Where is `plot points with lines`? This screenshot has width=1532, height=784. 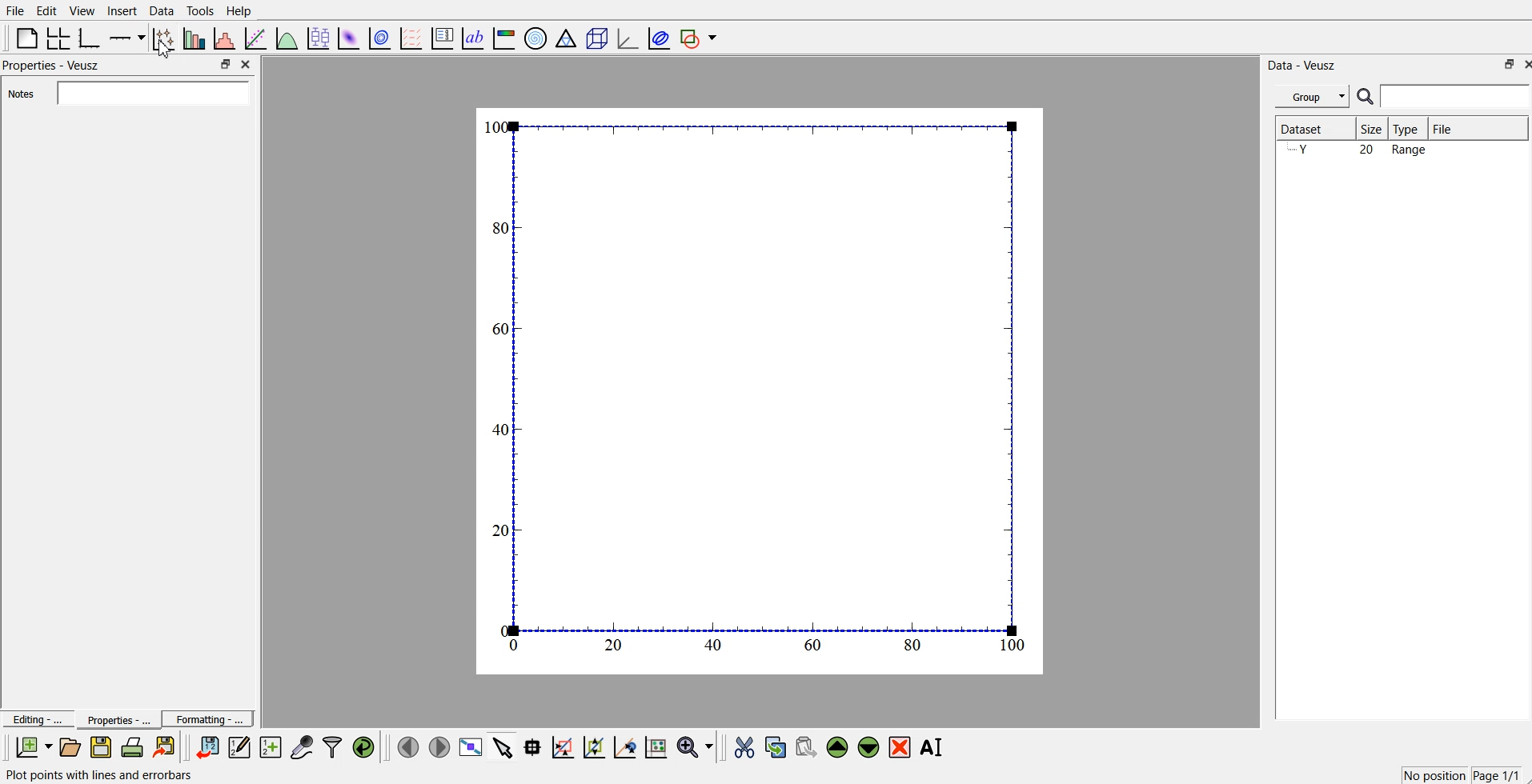
plot points with lines is located at coordinates (164, 38).